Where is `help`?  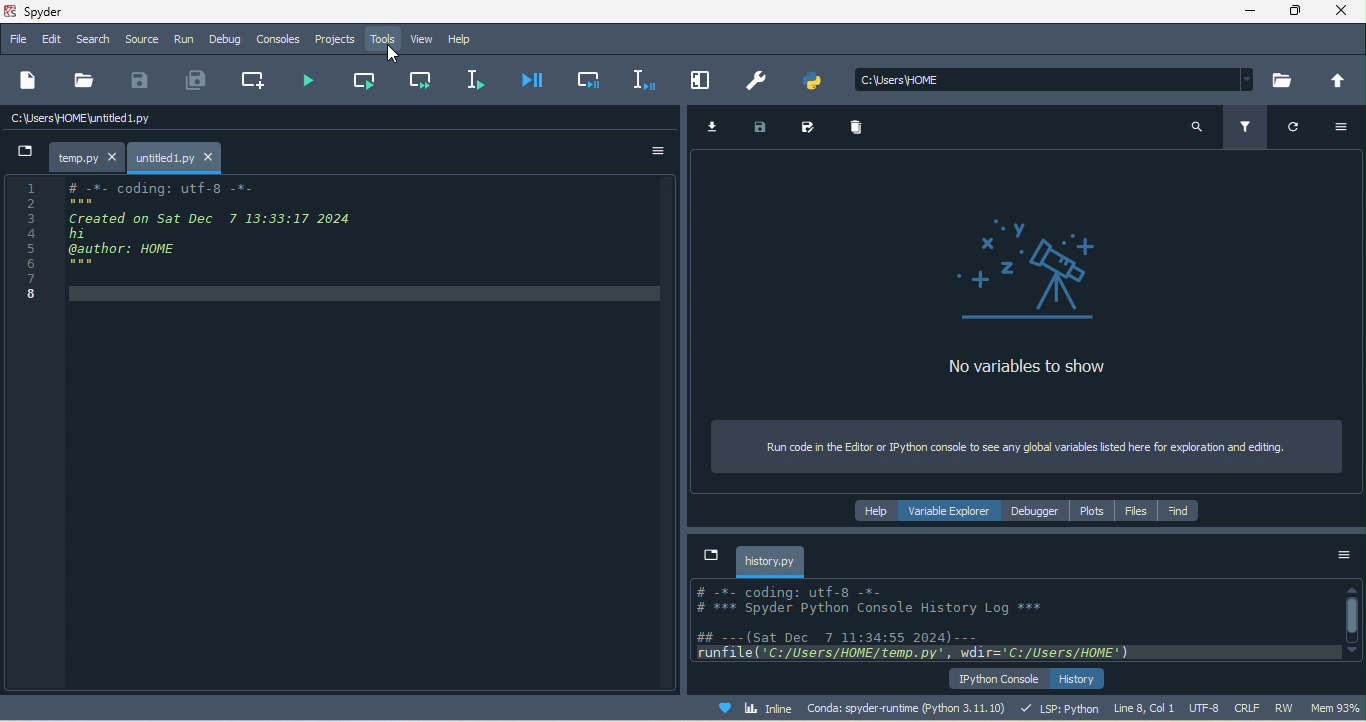 help is located at coordinates (462, 37).